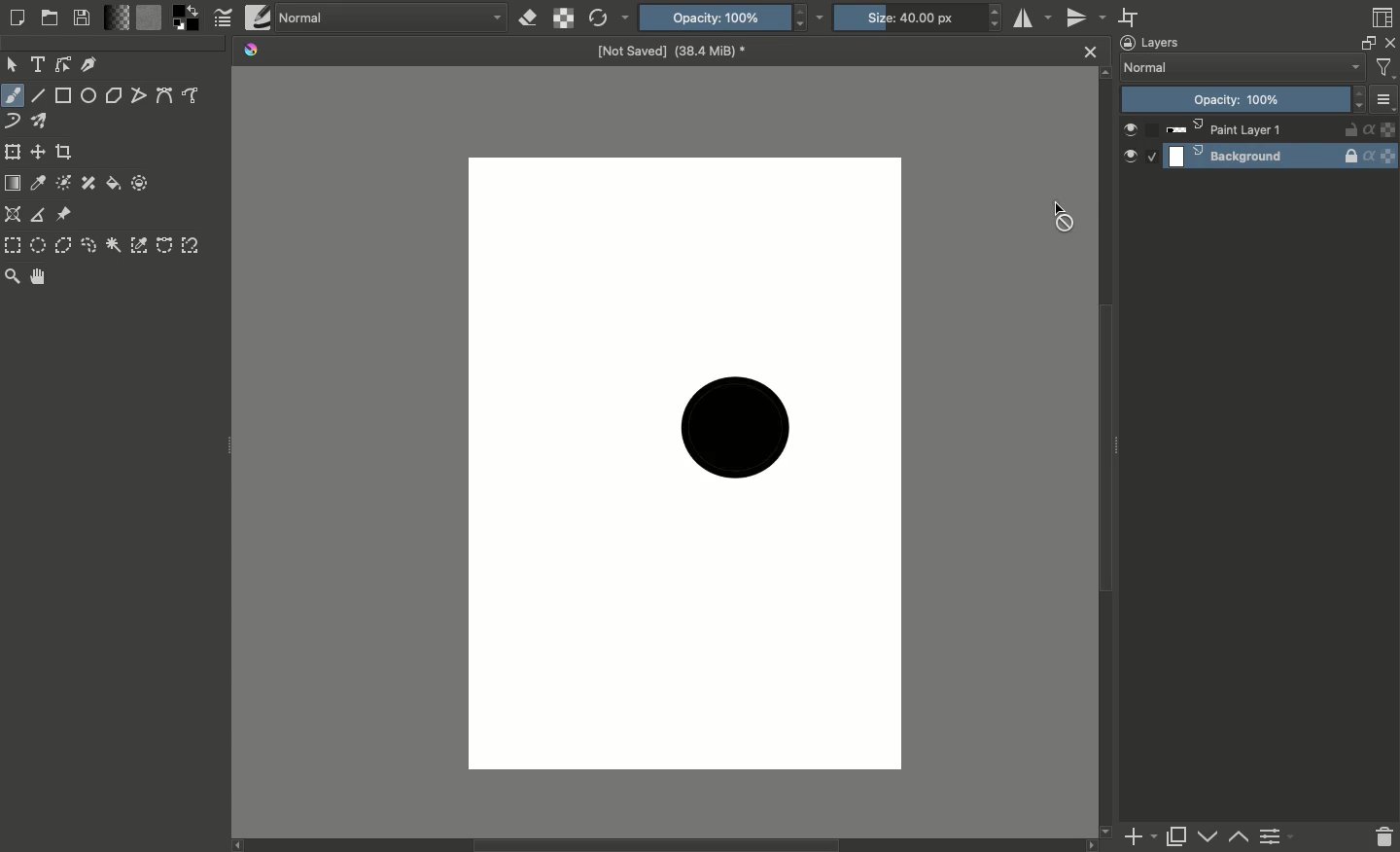 This screenshot has width=1400, height=852. What do you see at coordinates (1181, 837) in the screenshot?
I see `Duplicate layer` at bounding box center [1181, 837].